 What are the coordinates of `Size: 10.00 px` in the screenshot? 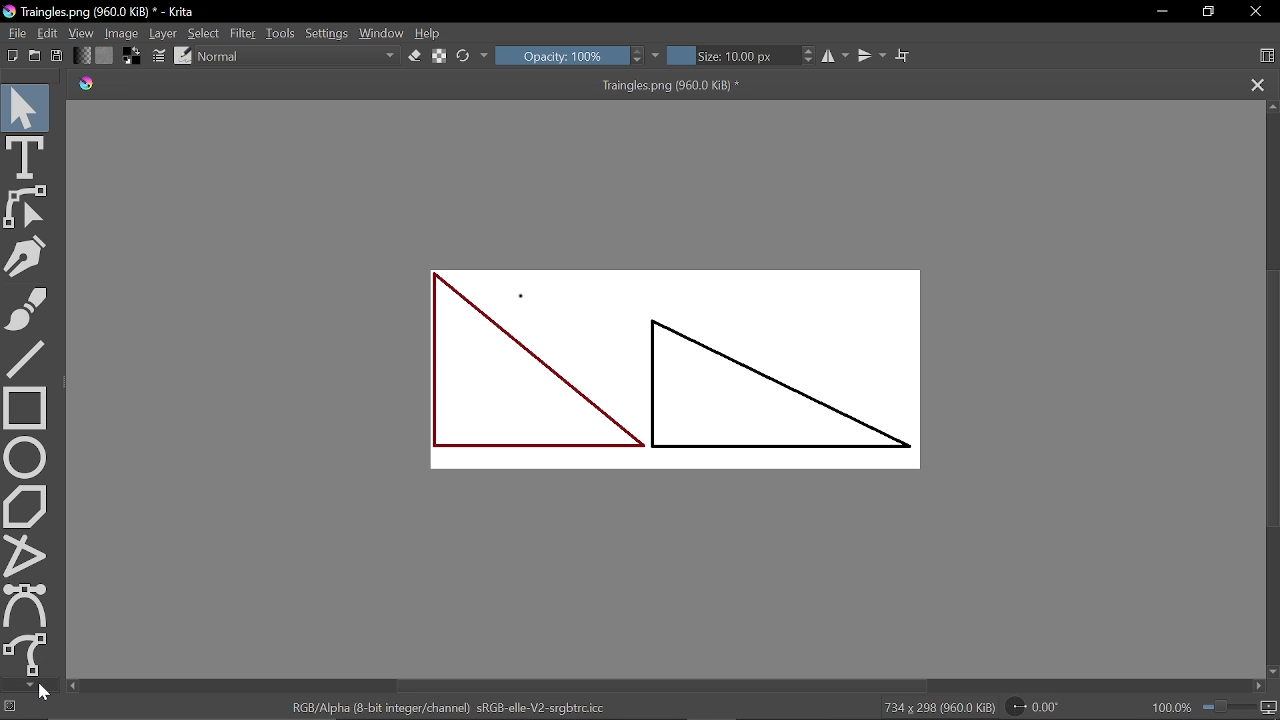 It's located at (731, 57).